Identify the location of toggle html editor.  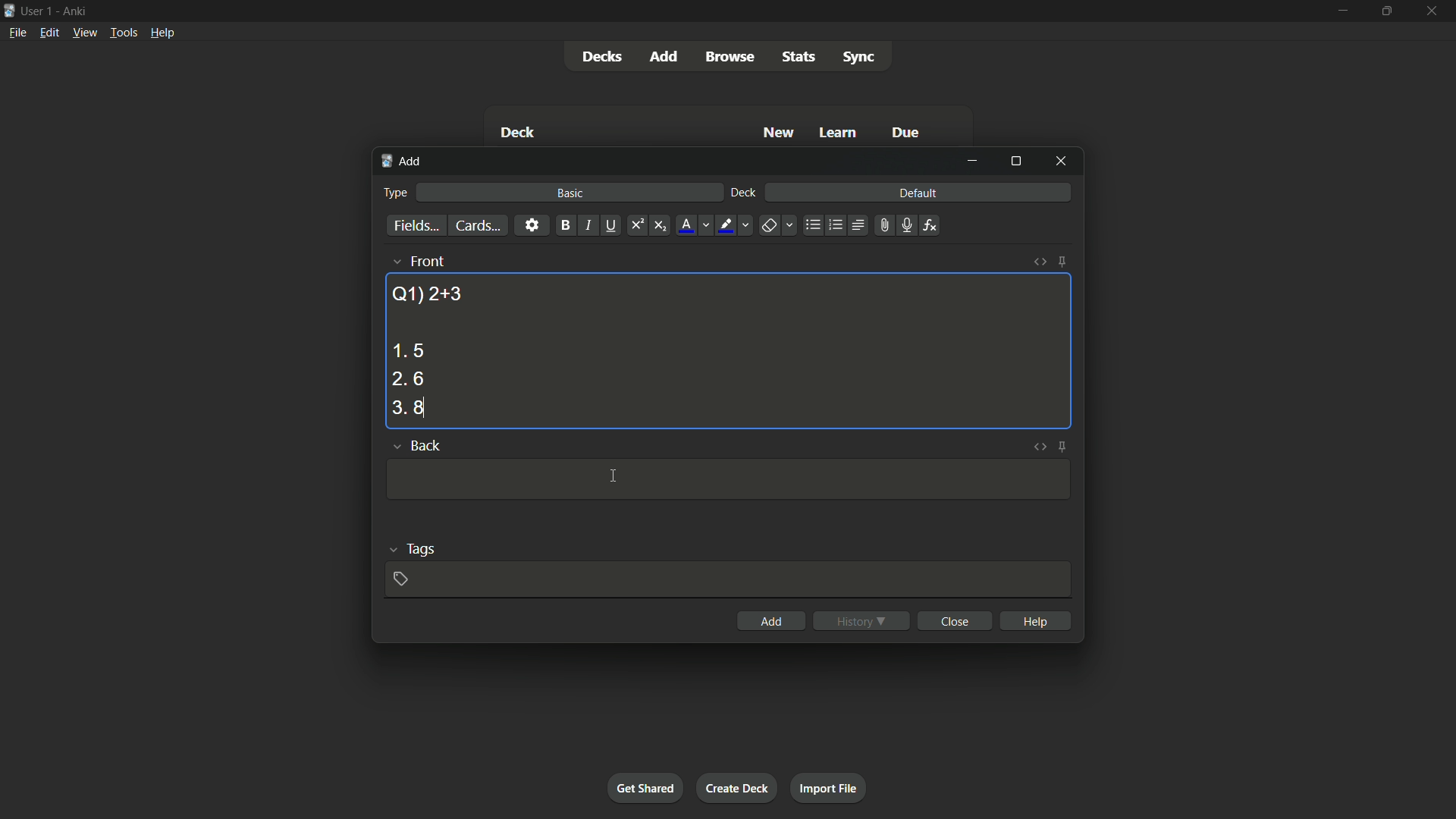
(1040, 262).